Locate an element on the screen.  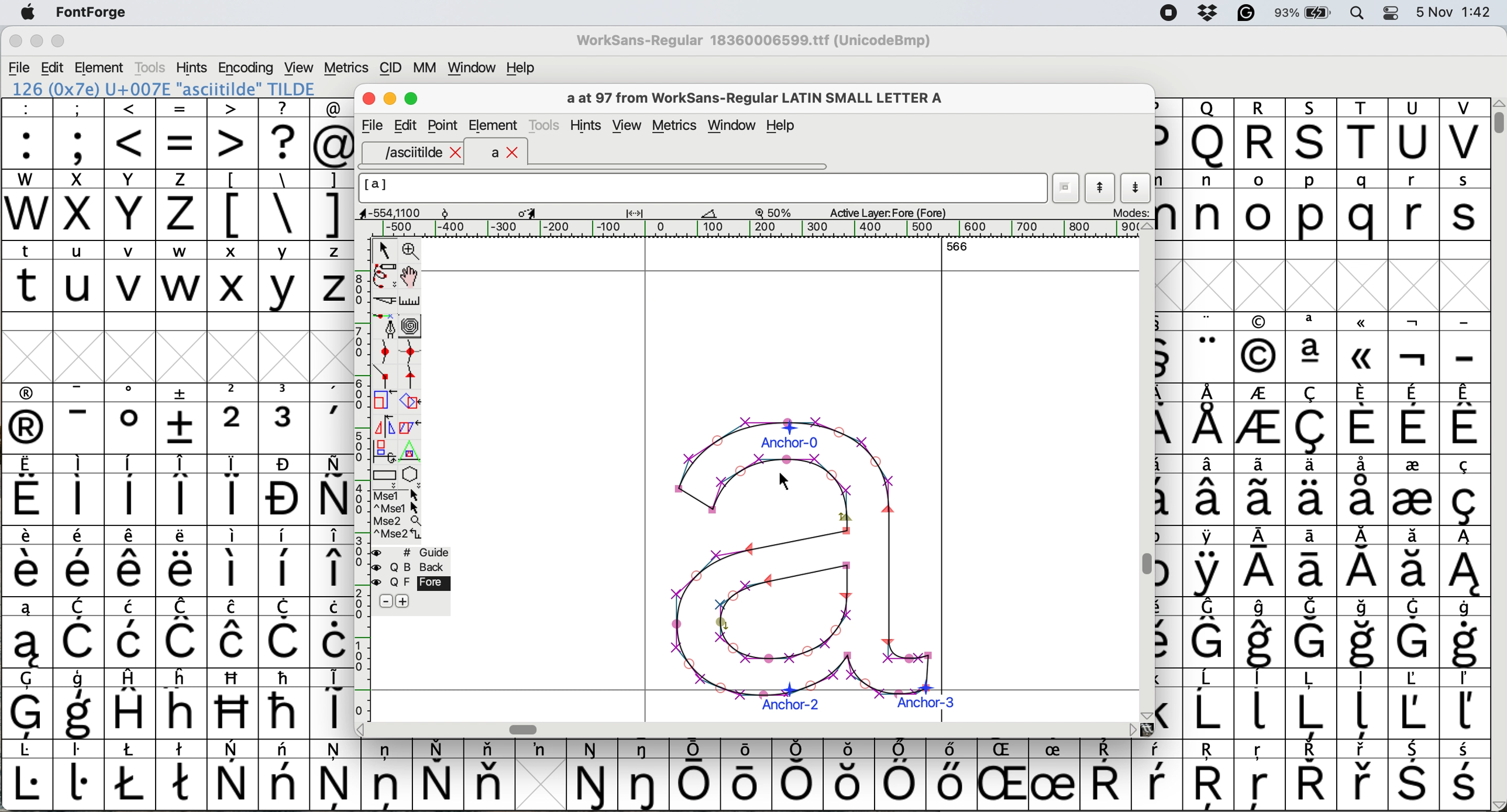
 is located at coordinates (1313, 133).